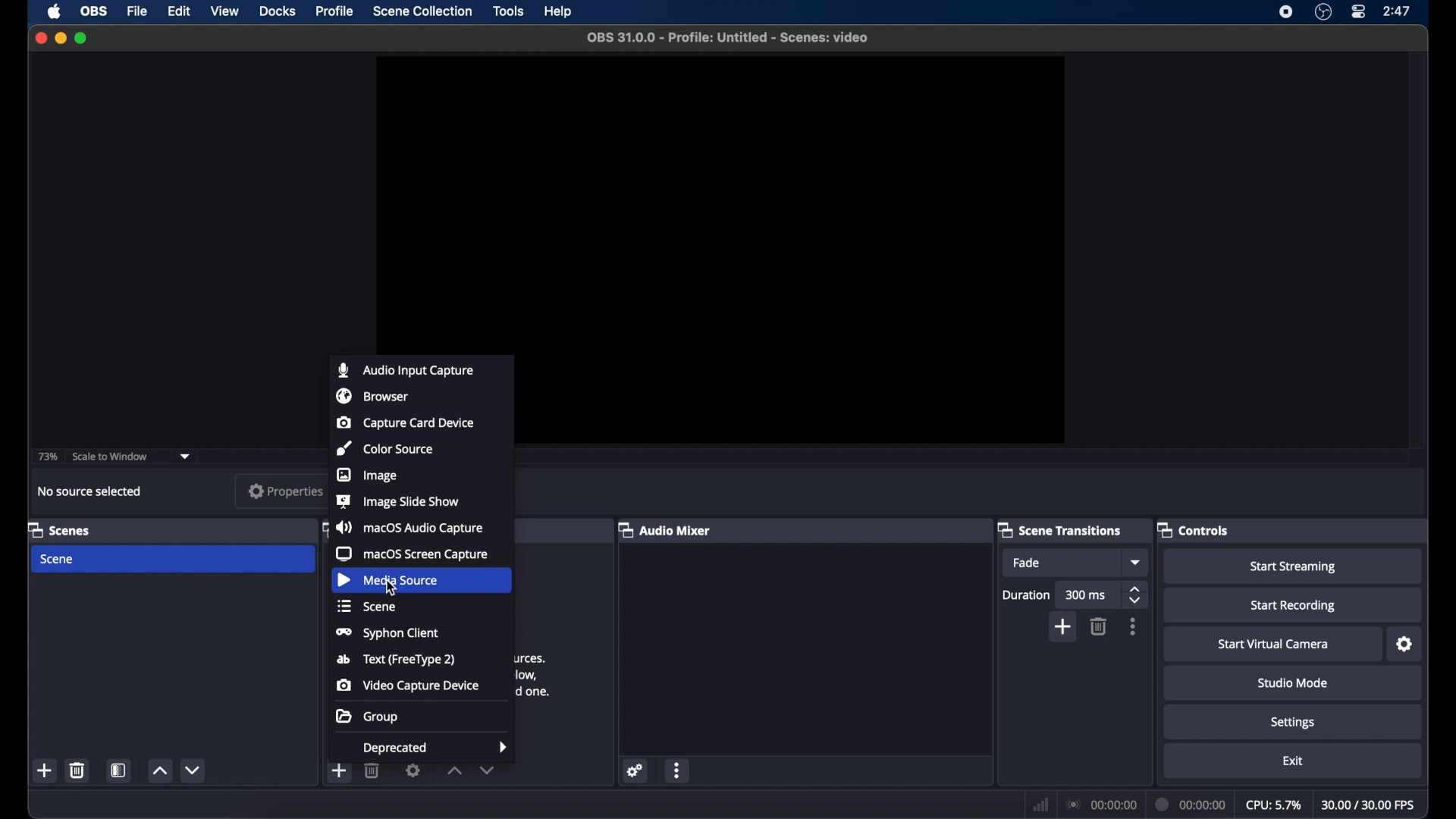 The height and width of the screenshot is (819, 1456). Describe the element at coordinates (413, 770) in the screenshot. I see `settings` at that location.